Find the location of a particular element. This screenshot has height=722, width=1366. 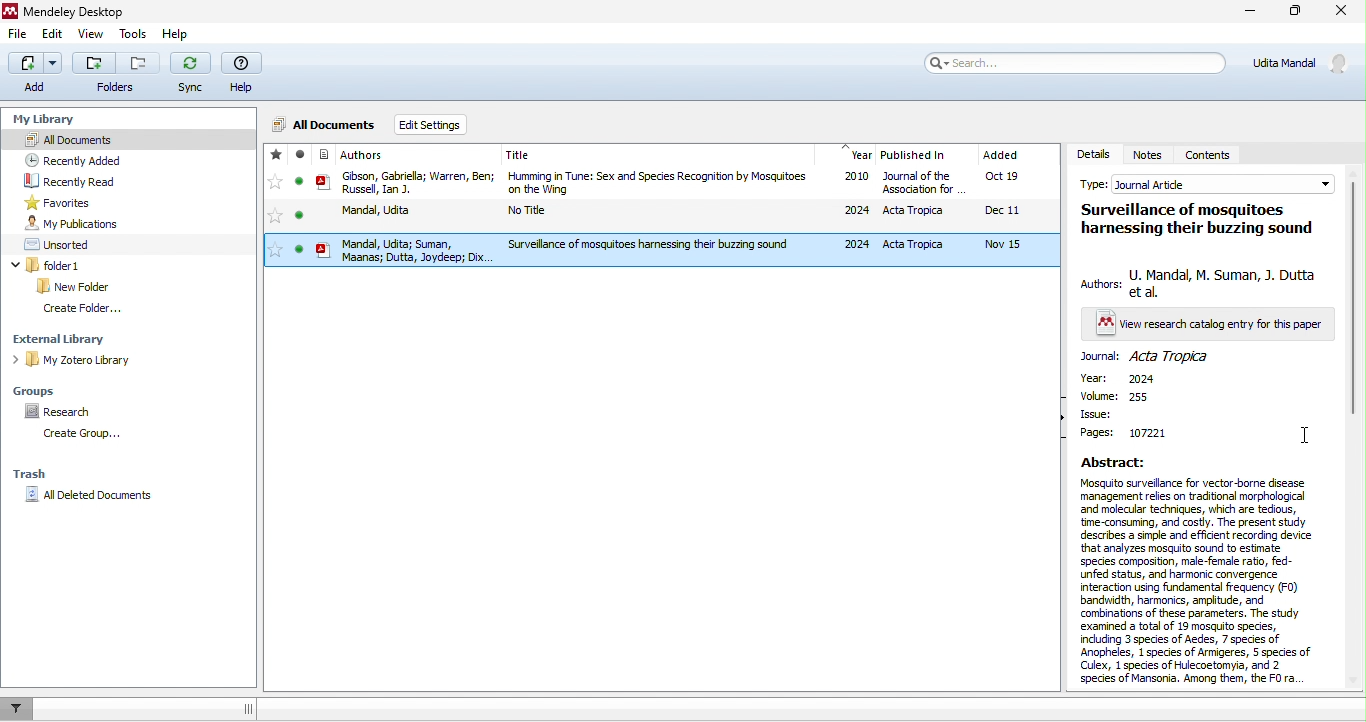

sync is located at coordinates (192, 73).